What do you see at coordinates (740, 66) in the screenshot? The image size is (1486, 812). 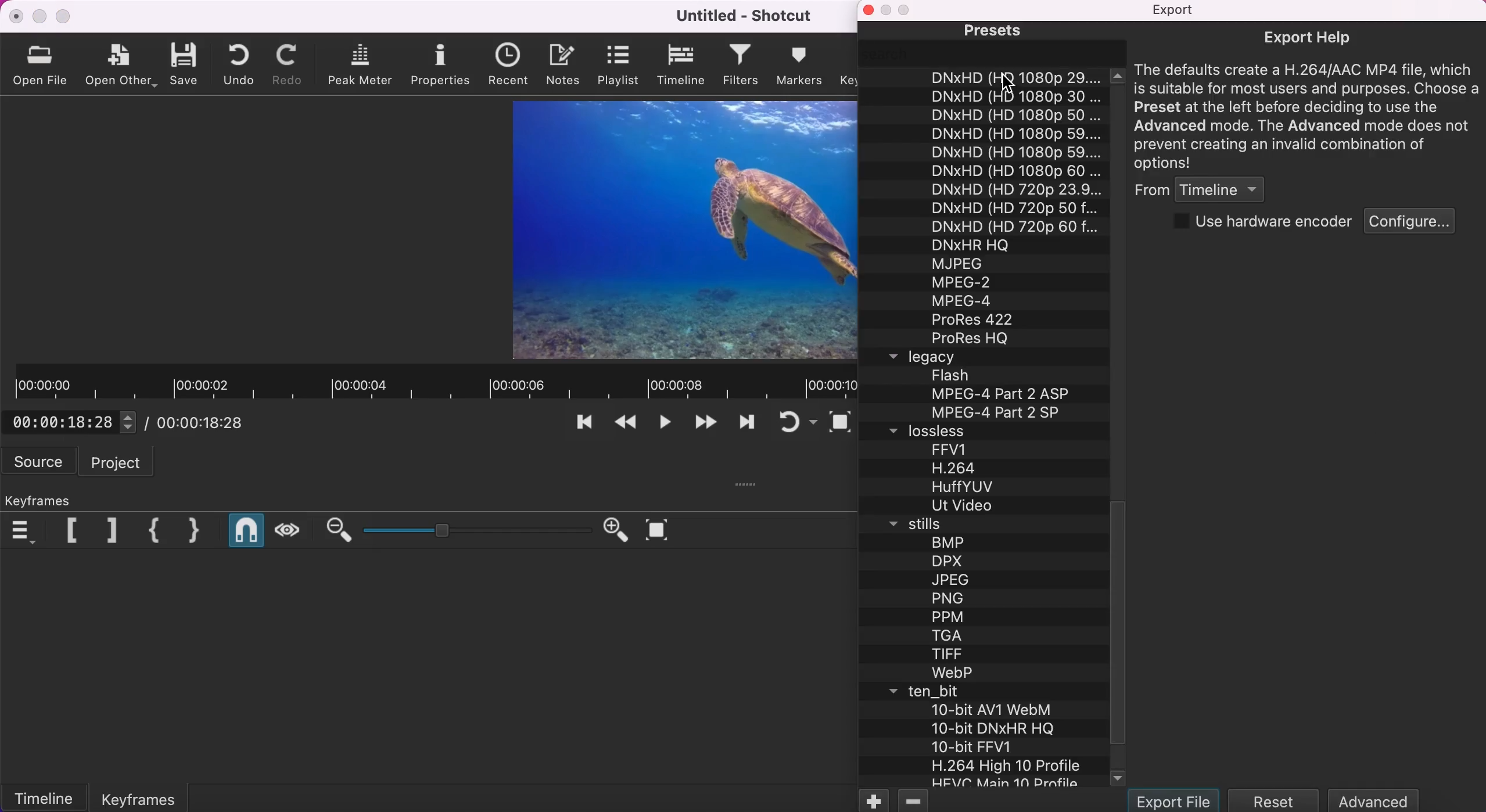 I see `filters` at bounding box center [740, 66].